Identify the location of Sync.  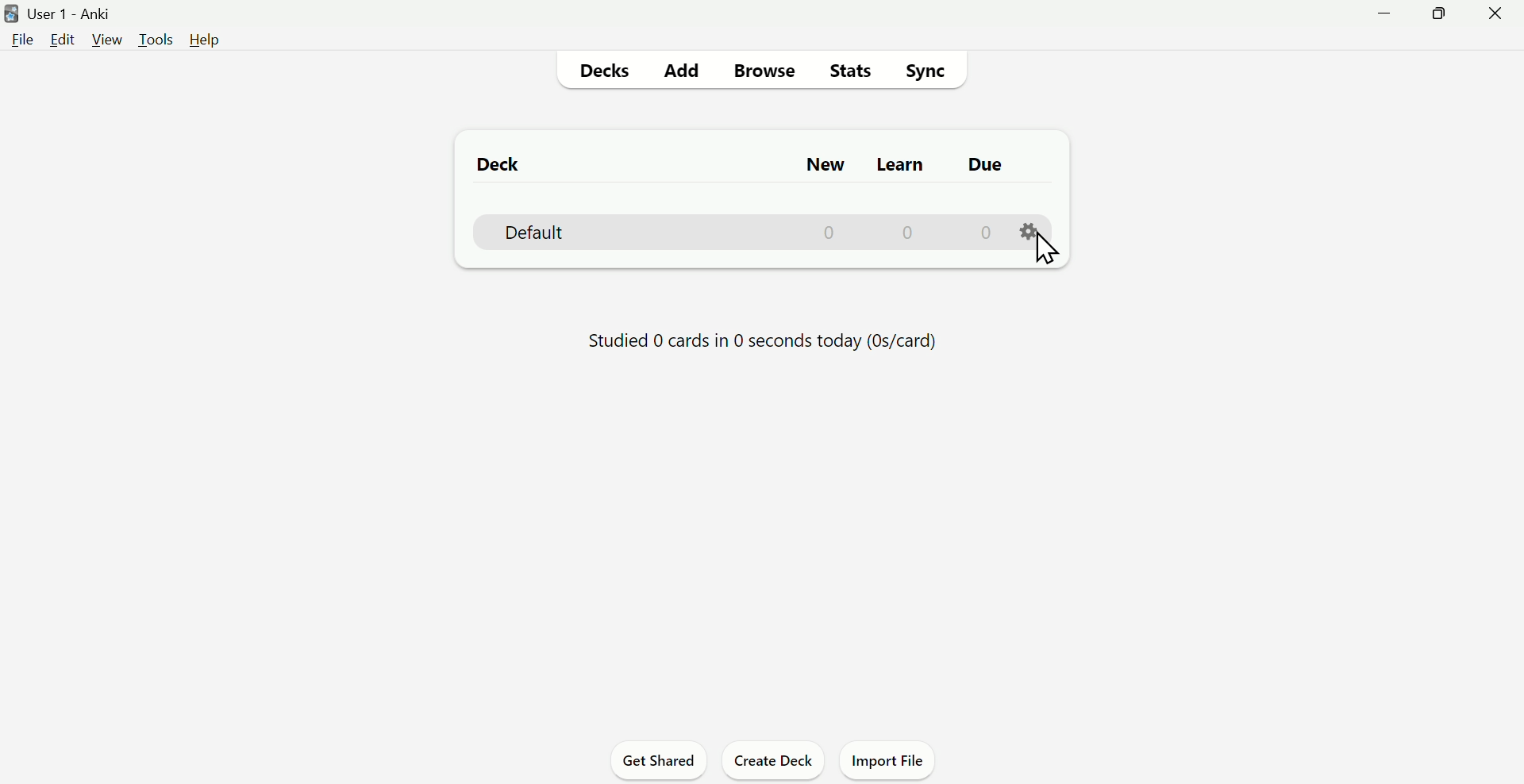
(922, 71).